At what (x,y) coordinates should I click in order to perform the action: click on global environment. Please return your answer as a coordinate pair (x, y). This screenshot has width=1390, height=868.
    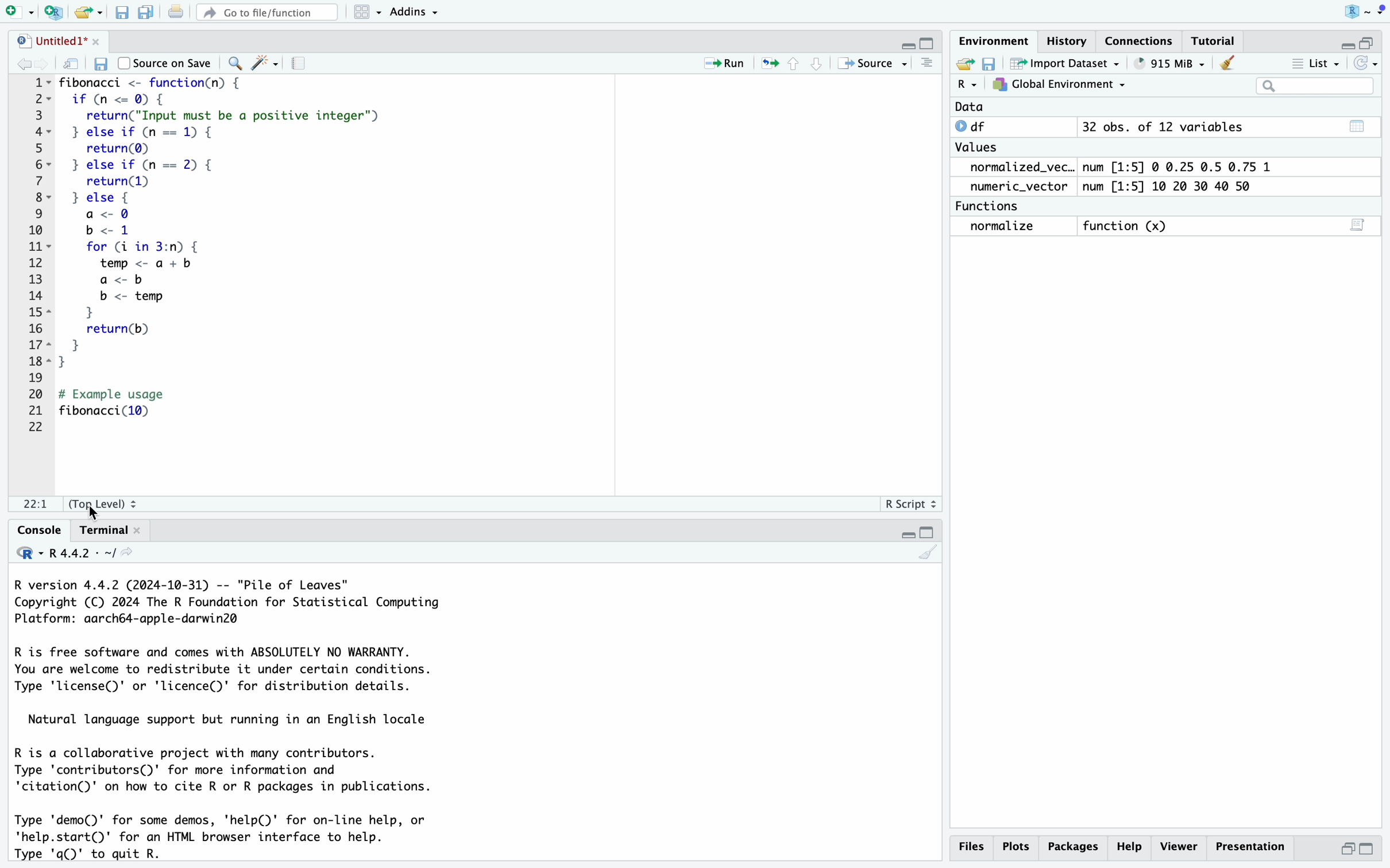
    Looking at the image, I should click on (1062, 86).